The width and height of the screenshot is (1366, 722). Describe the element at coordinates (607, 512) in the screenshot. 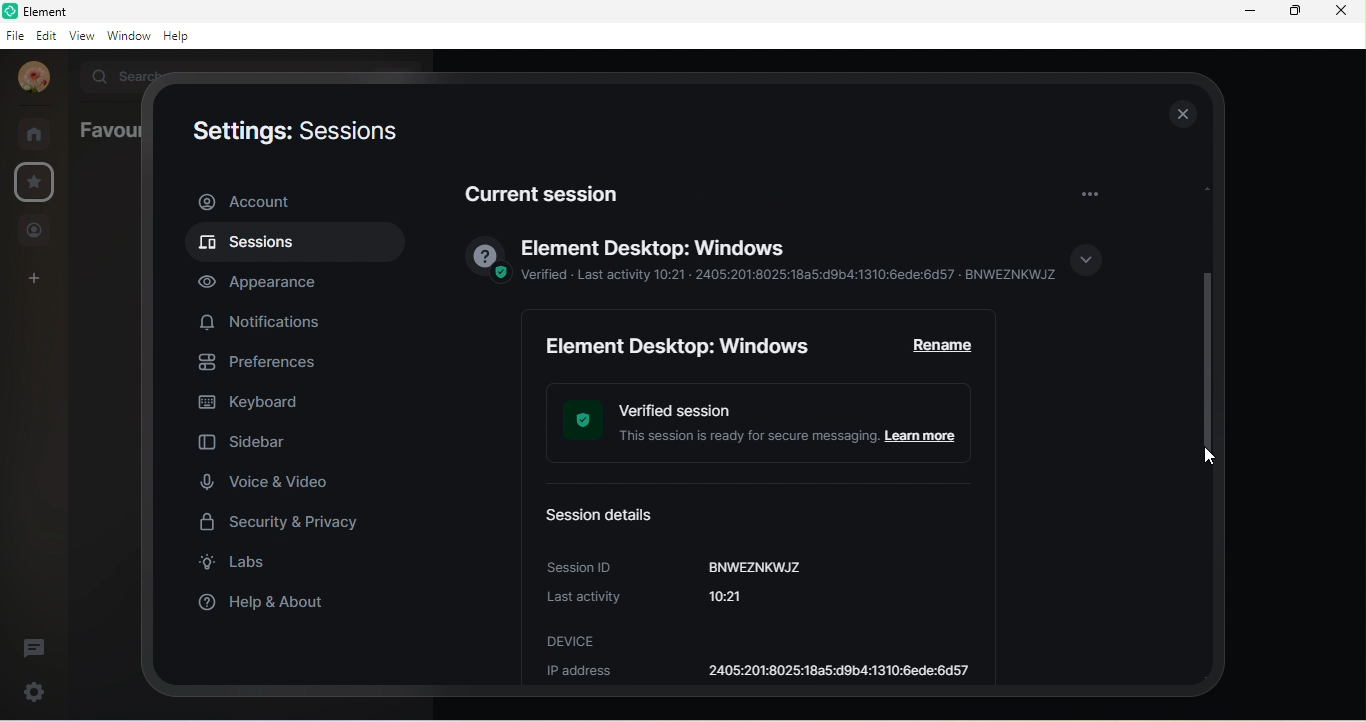

I see `session details` at that location.